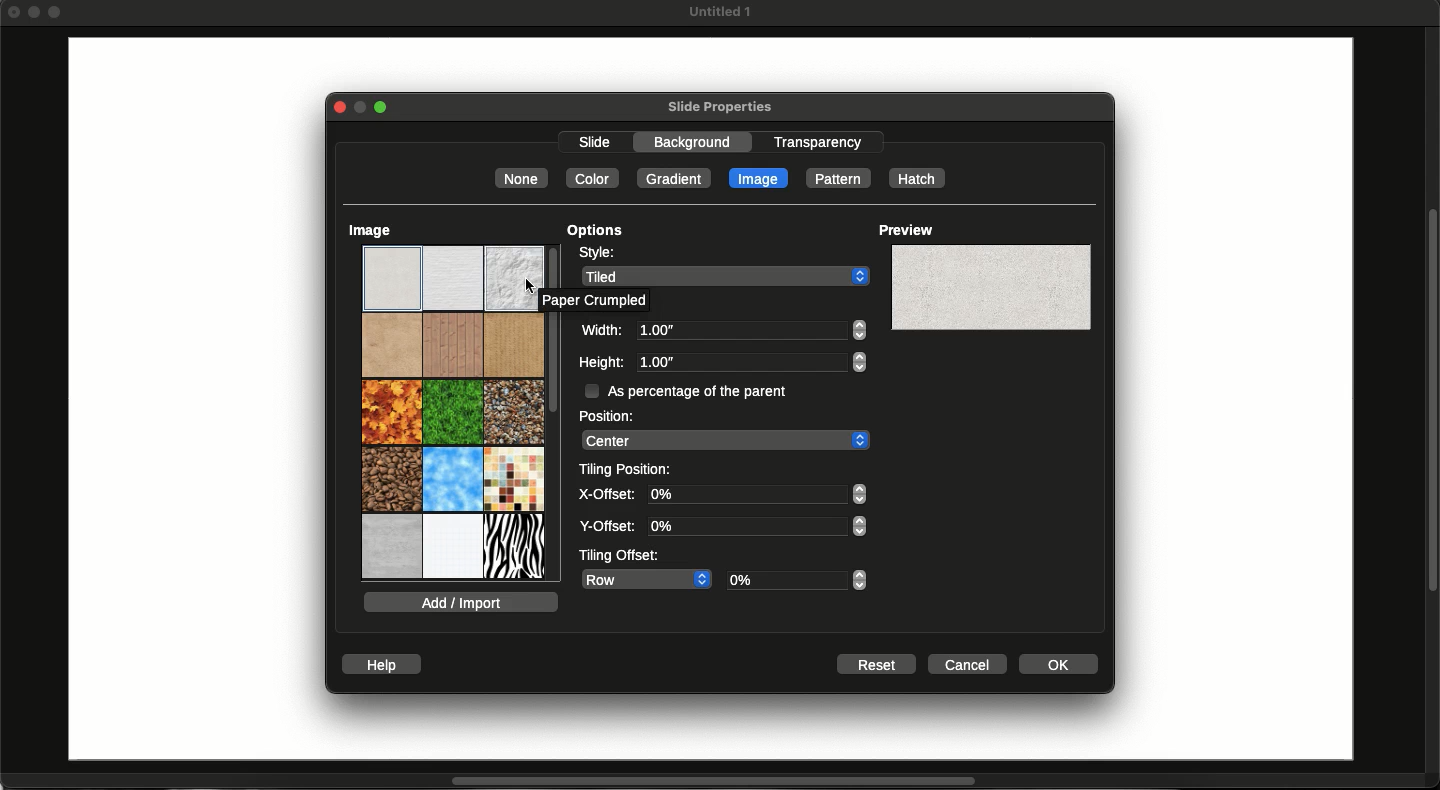 This screenshot has height=790, width=1440. What do you see at coordinates (188, 401) in the screenshot?
I see `Slide` at bounding box center [188, 401].